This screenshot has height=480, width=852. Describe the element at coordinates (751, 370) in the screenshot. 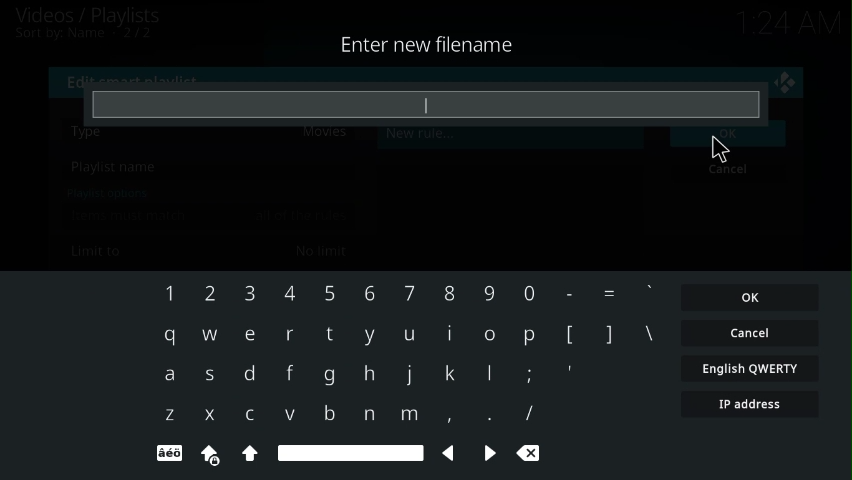

I see `english qwerty` at that location.